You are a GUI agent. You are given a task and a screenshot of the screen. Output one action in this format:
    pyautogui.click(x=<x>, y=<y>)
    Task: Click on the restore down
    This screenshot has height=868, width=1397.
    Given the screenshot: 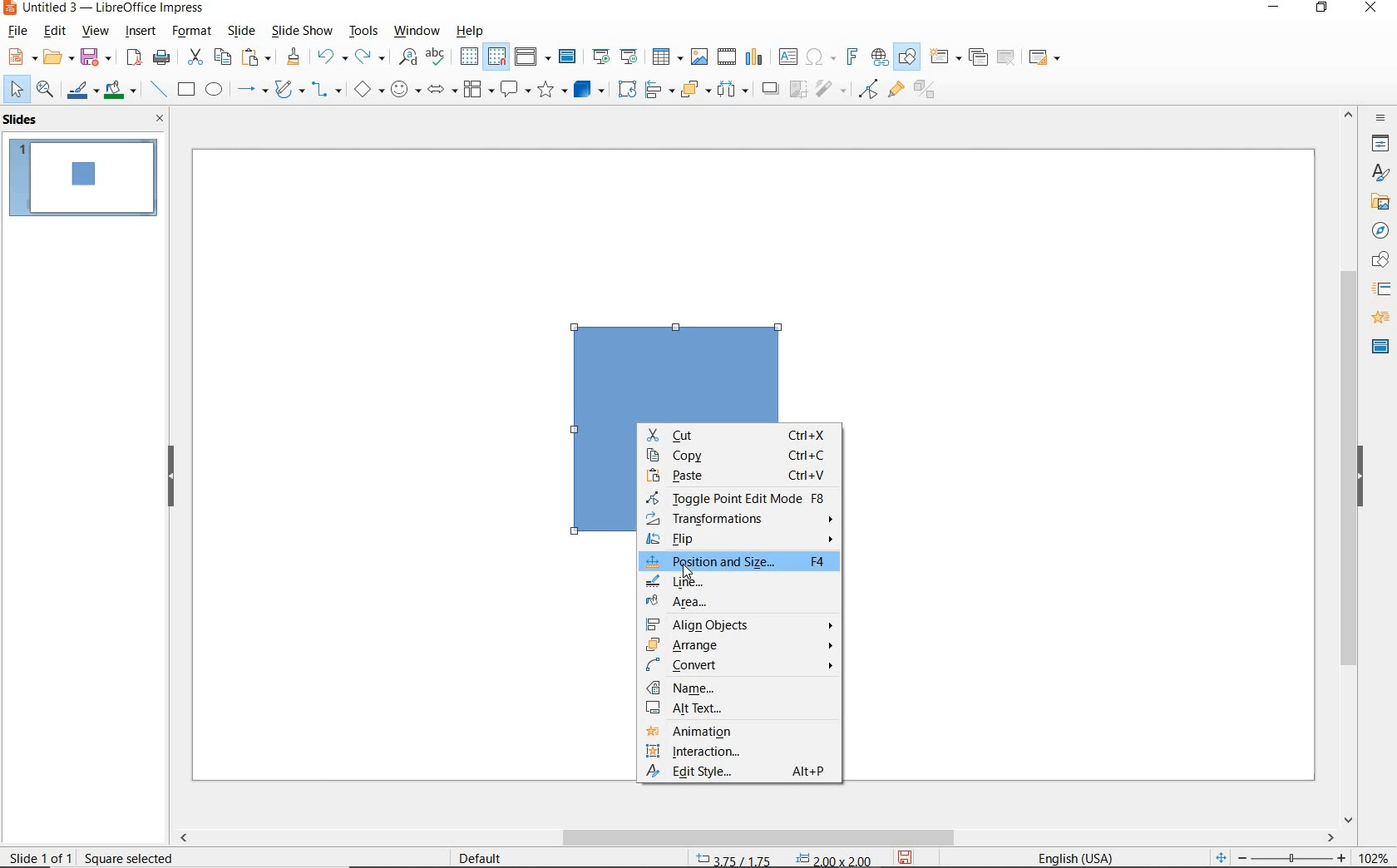 What is the action you would take?
    pyautogui.click(x=1324, y=10)
    